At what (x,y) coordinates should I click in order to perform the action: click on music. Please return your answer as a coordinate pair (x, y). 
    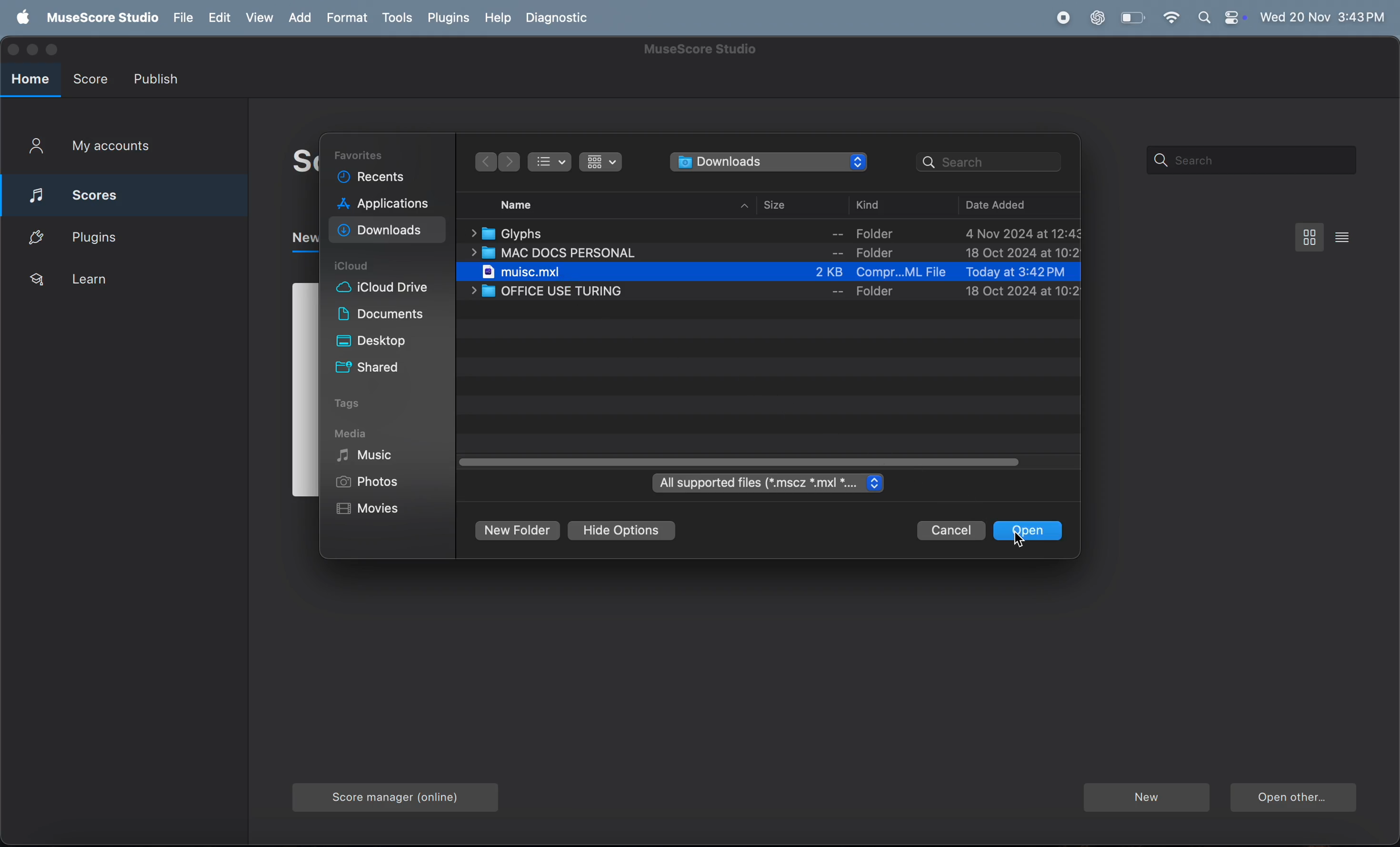
    Looking at the image, I should click on (376, 458).